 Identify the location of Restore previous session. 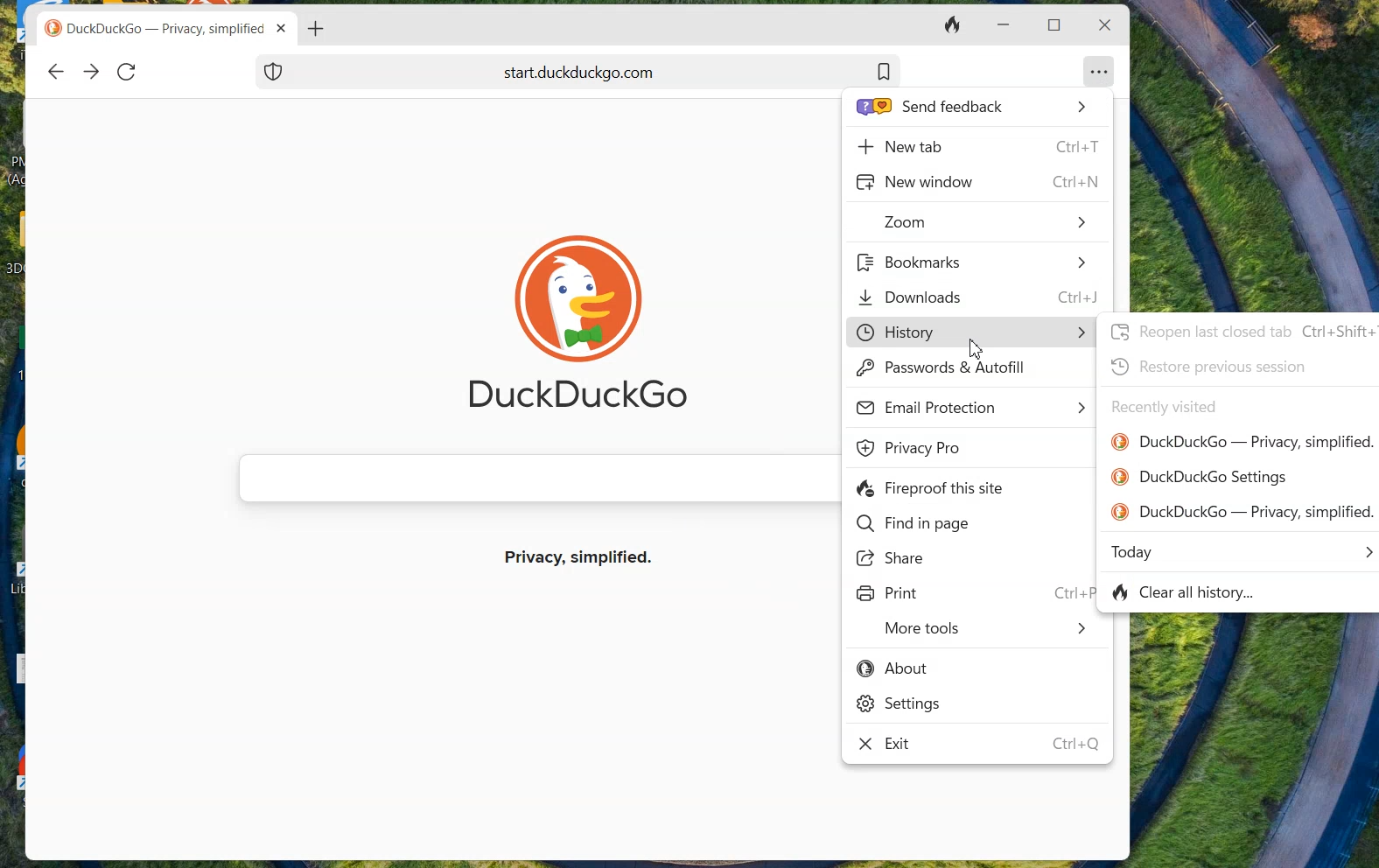
(1207, 367).